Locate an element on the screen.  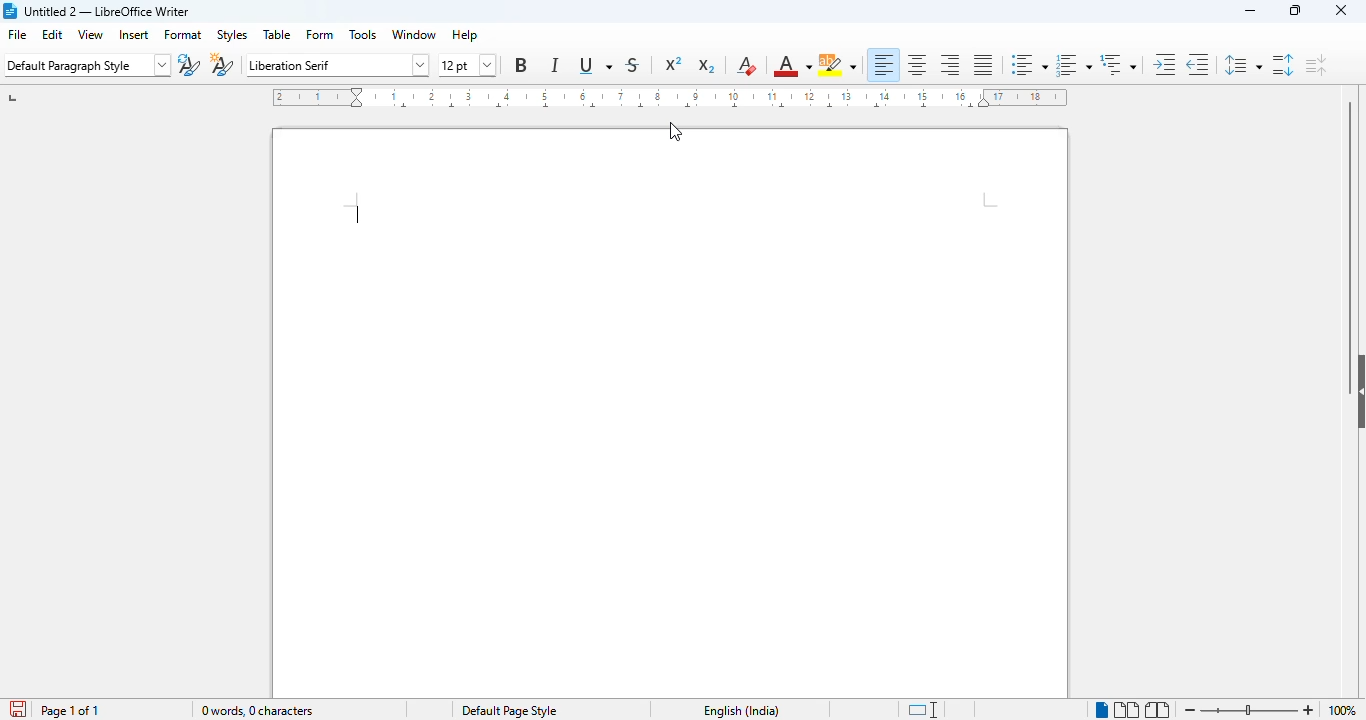
help is located at coordinates (465, 35).